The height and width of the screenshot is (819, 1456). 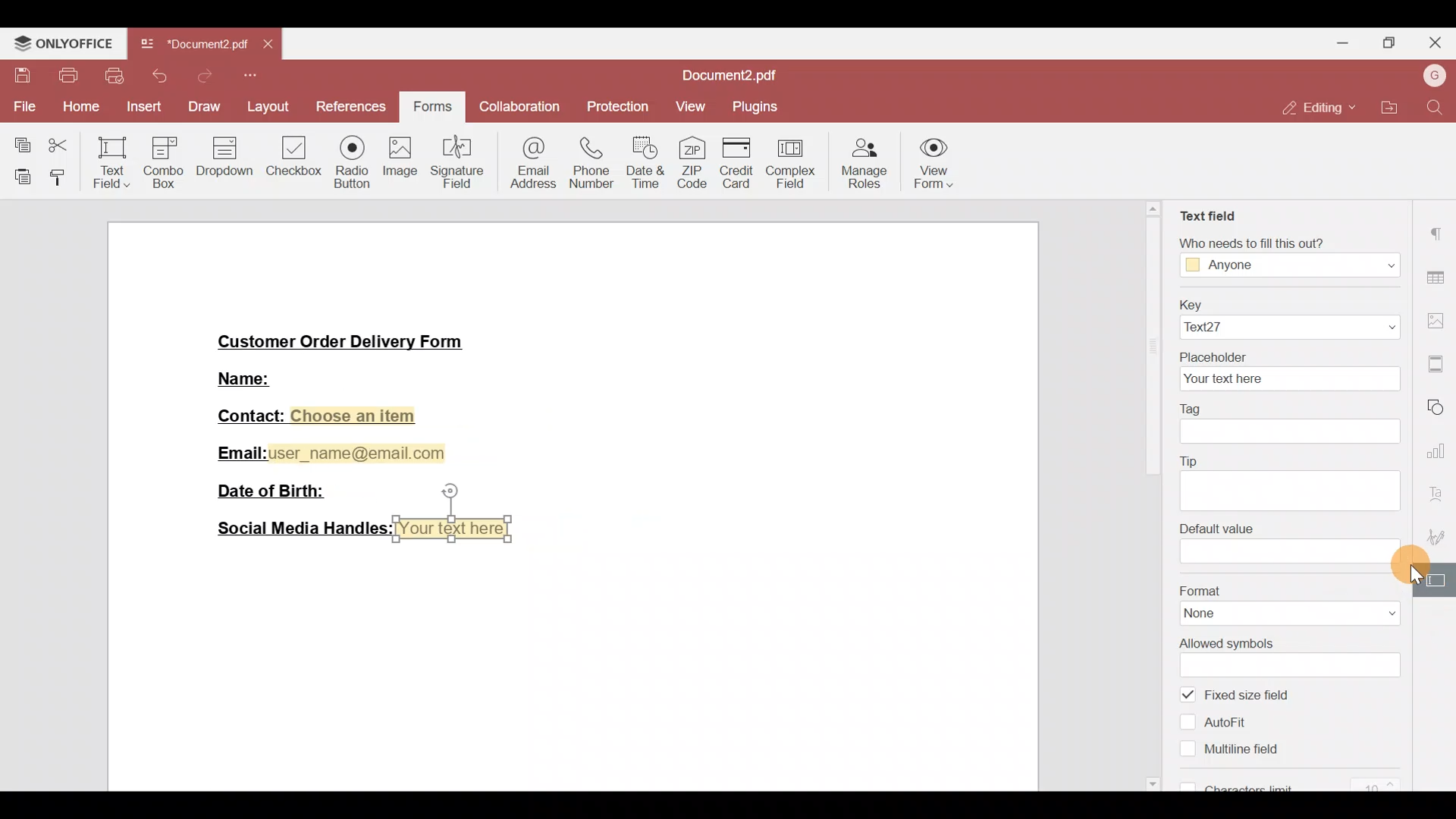 I want to click on Dropdown, so click(x=227, y=158).